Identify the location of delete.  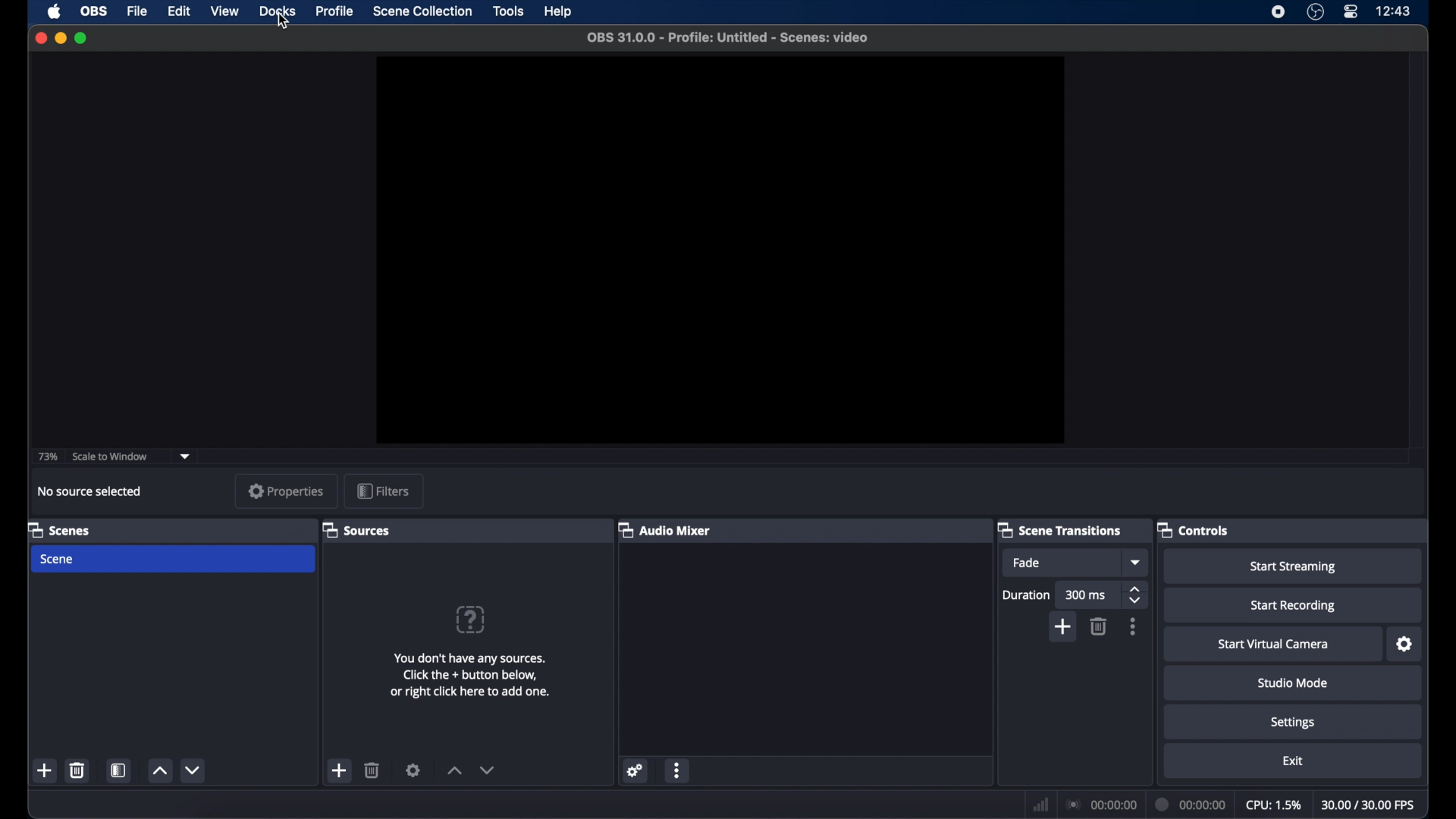
(1100, 626).